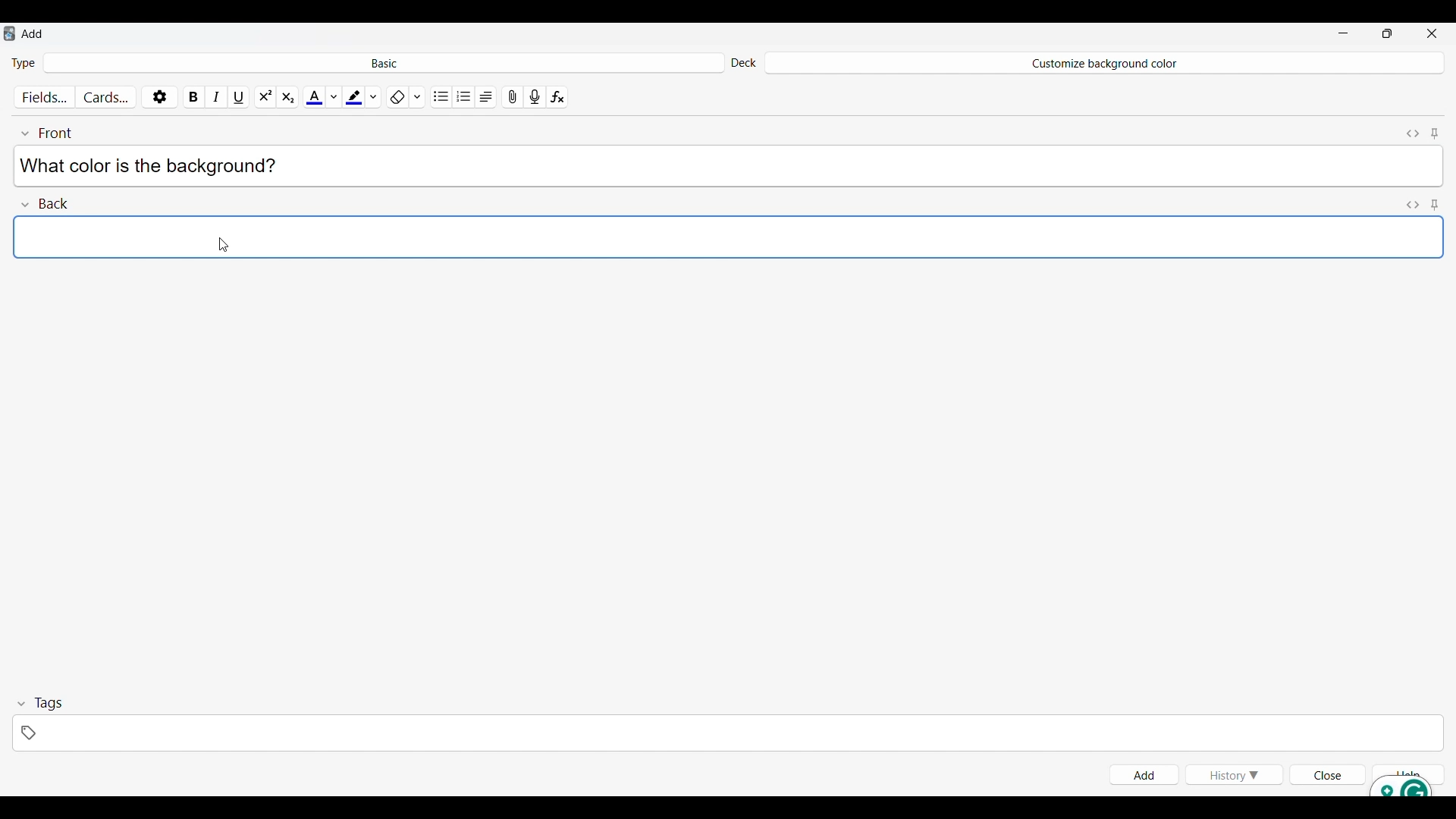  I want to click on Toggle HTML editor, so click(1414, 131).